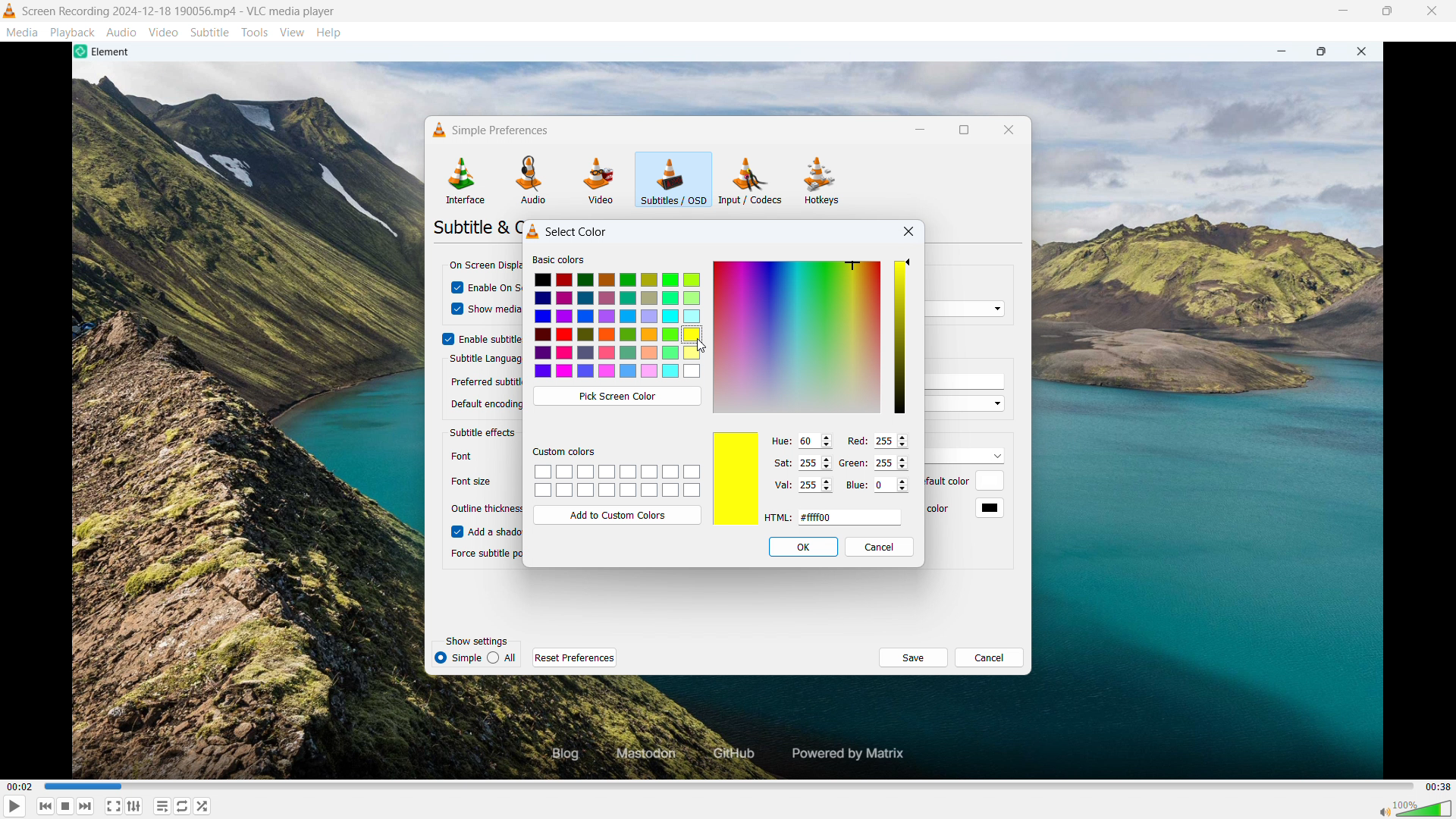 The height and width of the screenshot is (819, 1456). I want to click on Subtitle effects , so click(484, 432).